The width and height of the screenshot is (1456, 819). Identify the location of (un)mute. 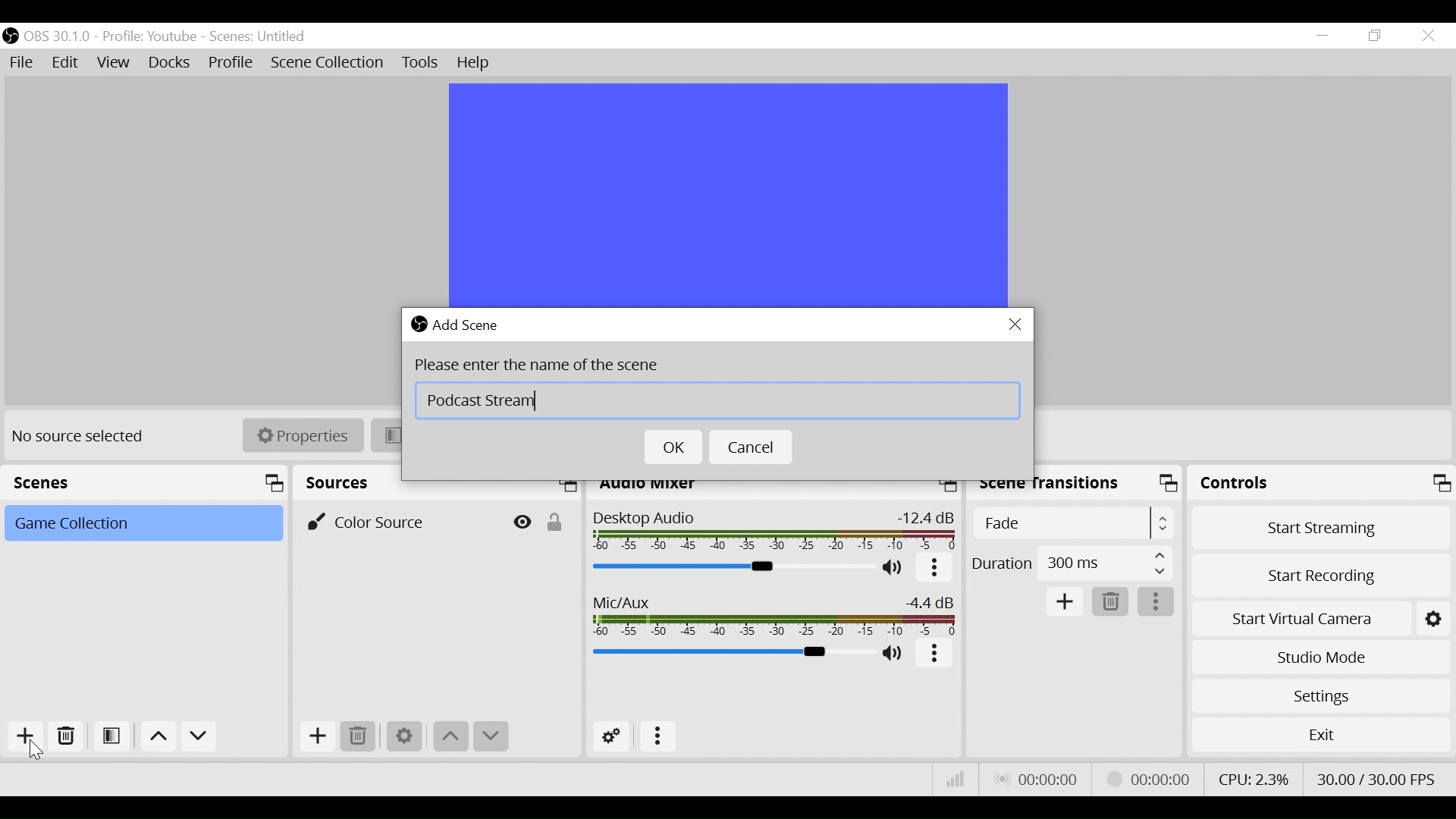
(893, 655).